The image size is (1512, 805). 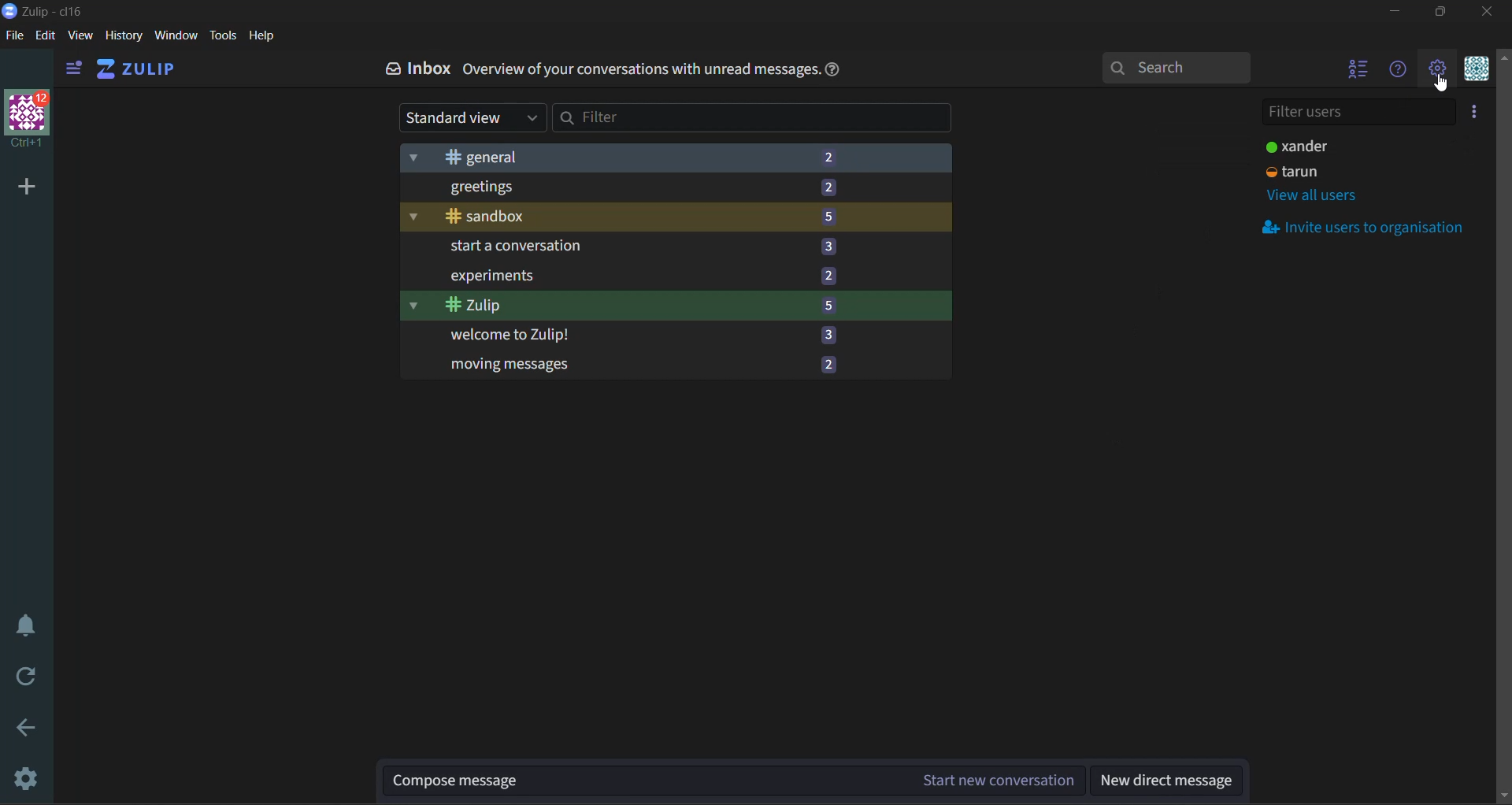 I want to click on tools, so click(x=222, y=35).